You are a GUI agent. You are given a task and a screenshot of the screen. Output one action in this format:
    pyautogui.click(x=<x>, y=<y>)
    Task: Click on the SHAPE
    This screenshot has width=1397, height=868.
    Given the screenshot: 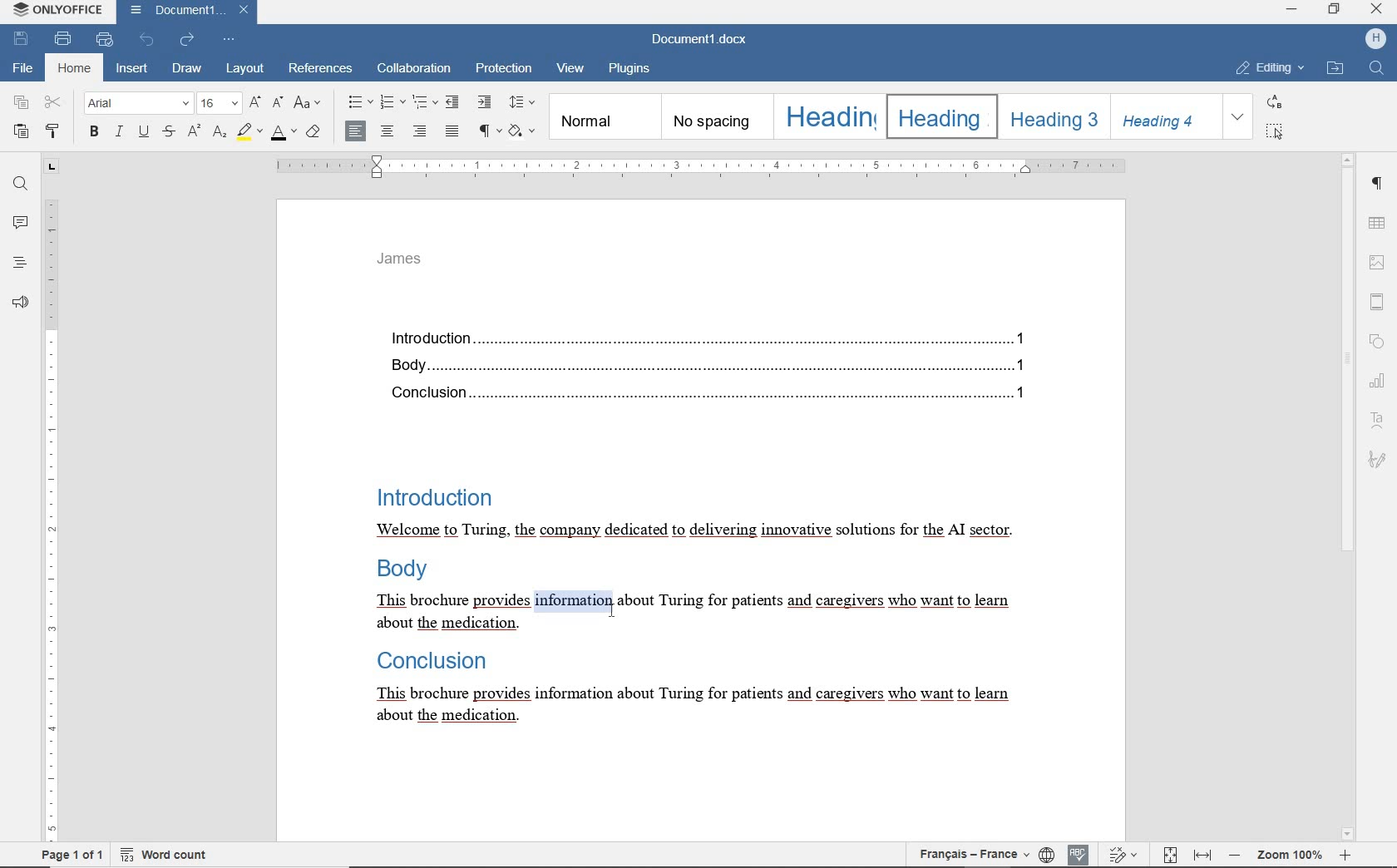 What is the action you would take?
    pyautogui.click(x=1375, y=340)
    